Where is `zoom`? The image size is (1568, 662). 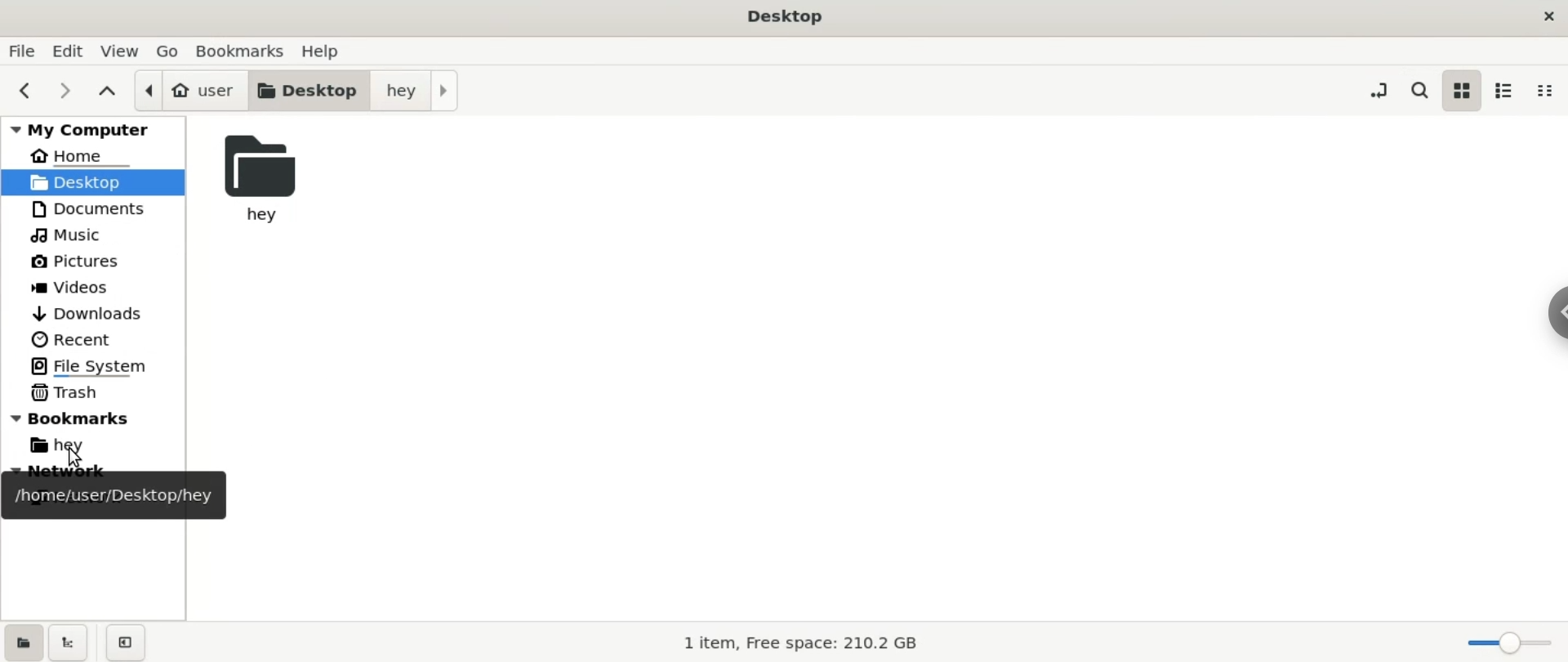 zoom is located at coordinates (1509, 642).